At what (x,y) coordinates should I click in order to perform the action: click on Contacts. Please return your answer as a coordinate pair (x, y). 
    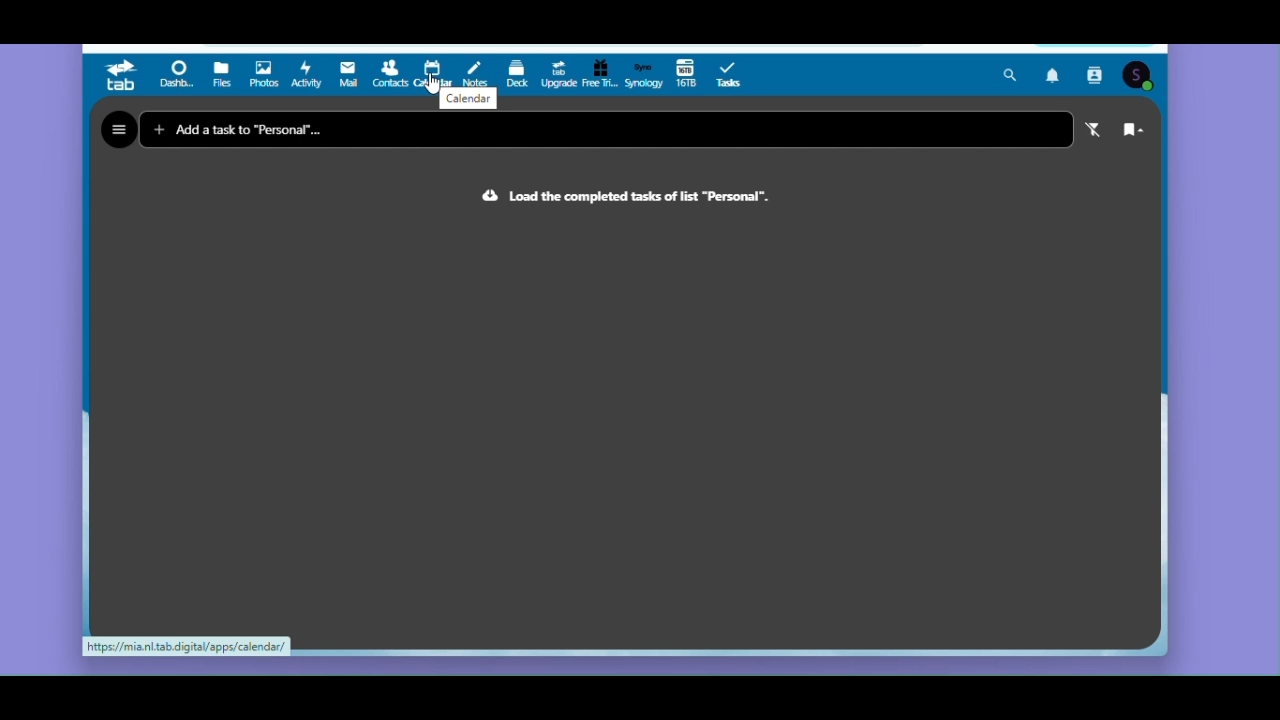
    Looking at the image, I should click on (1098, 75).